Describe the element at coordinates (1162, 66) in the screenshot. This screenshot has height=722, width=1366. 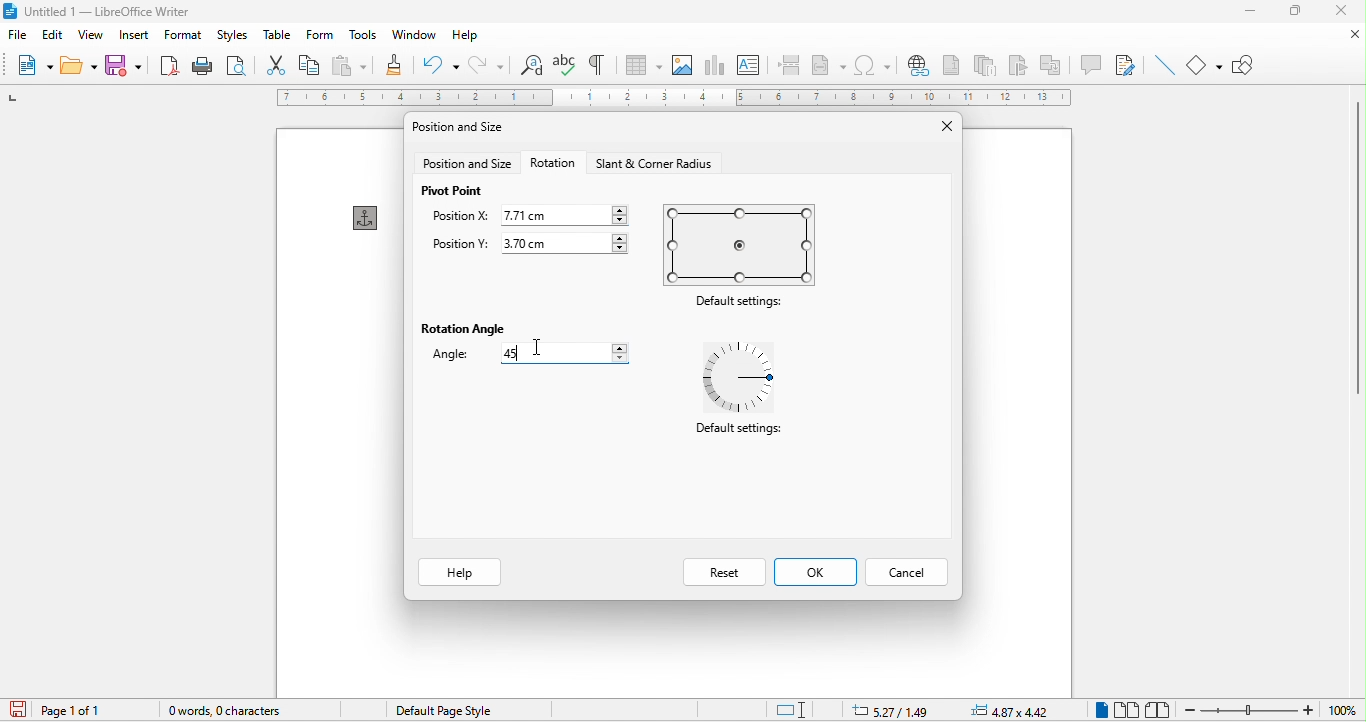
I see `insert line` at that location.